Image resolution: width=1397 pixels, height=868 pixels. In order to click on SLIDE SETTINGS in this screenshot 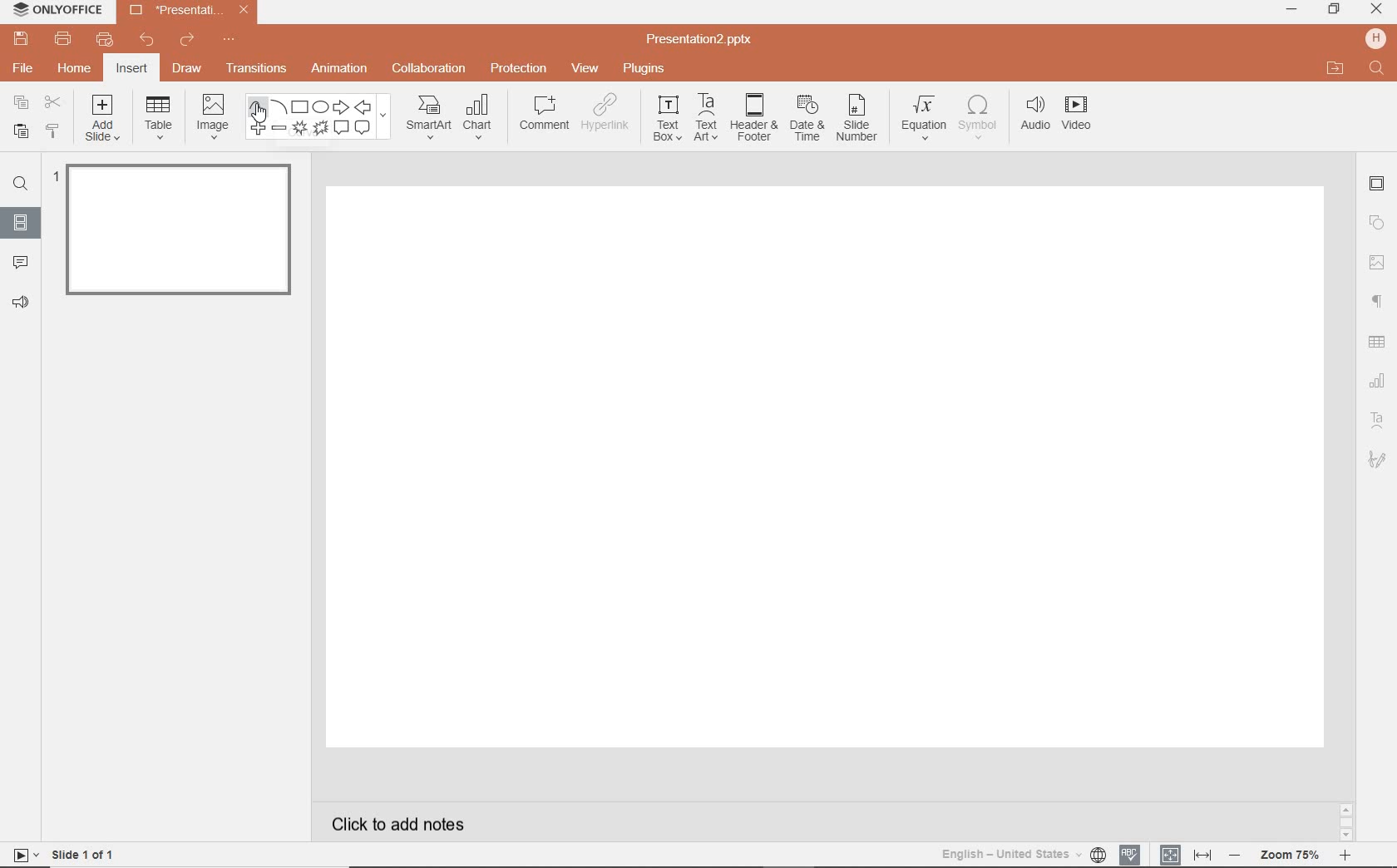, I will do `click(1378, 185)`.